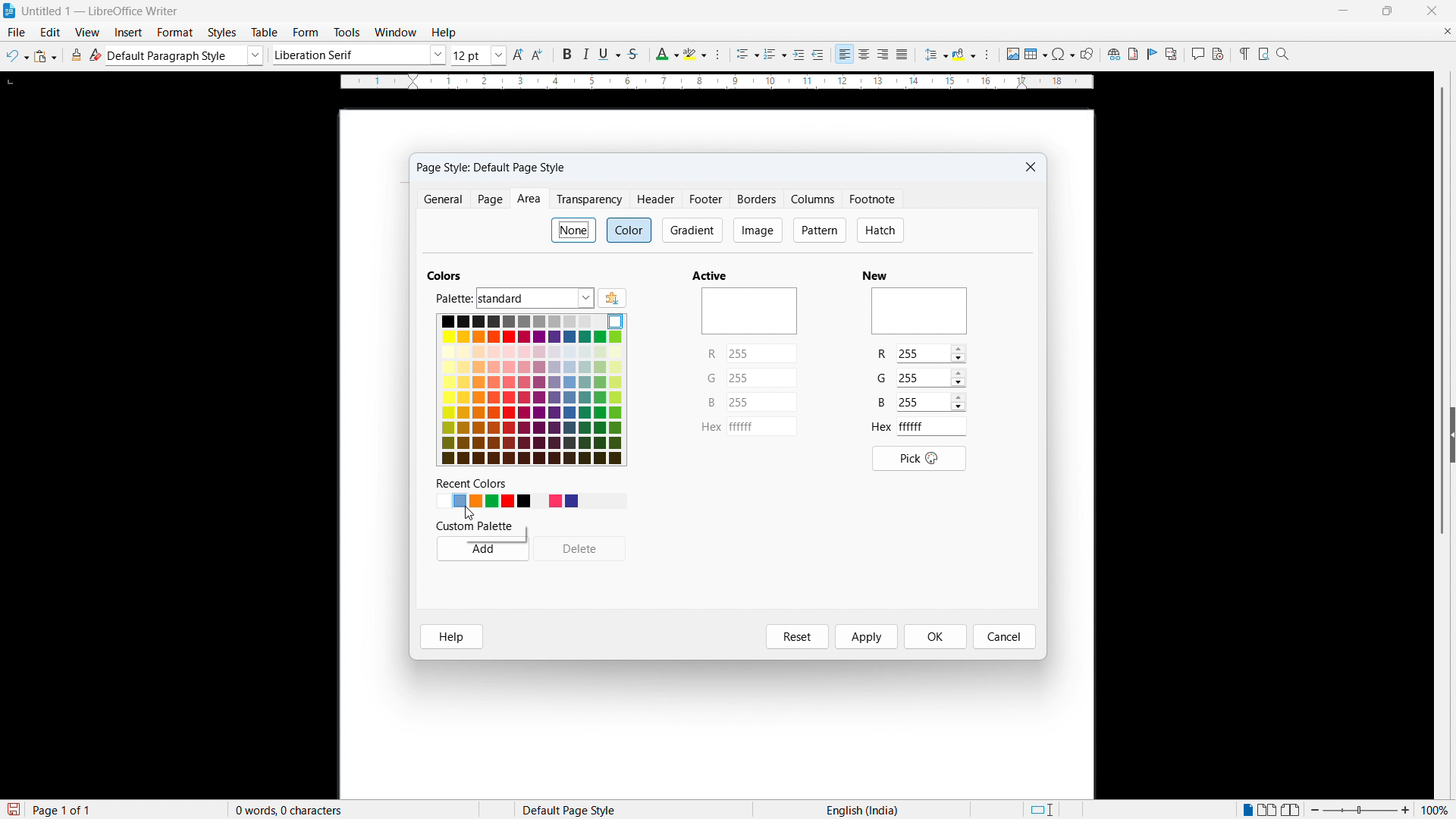 The height and width of the screenshot is (819, 1456). I want to click on B, so click(711, 403).